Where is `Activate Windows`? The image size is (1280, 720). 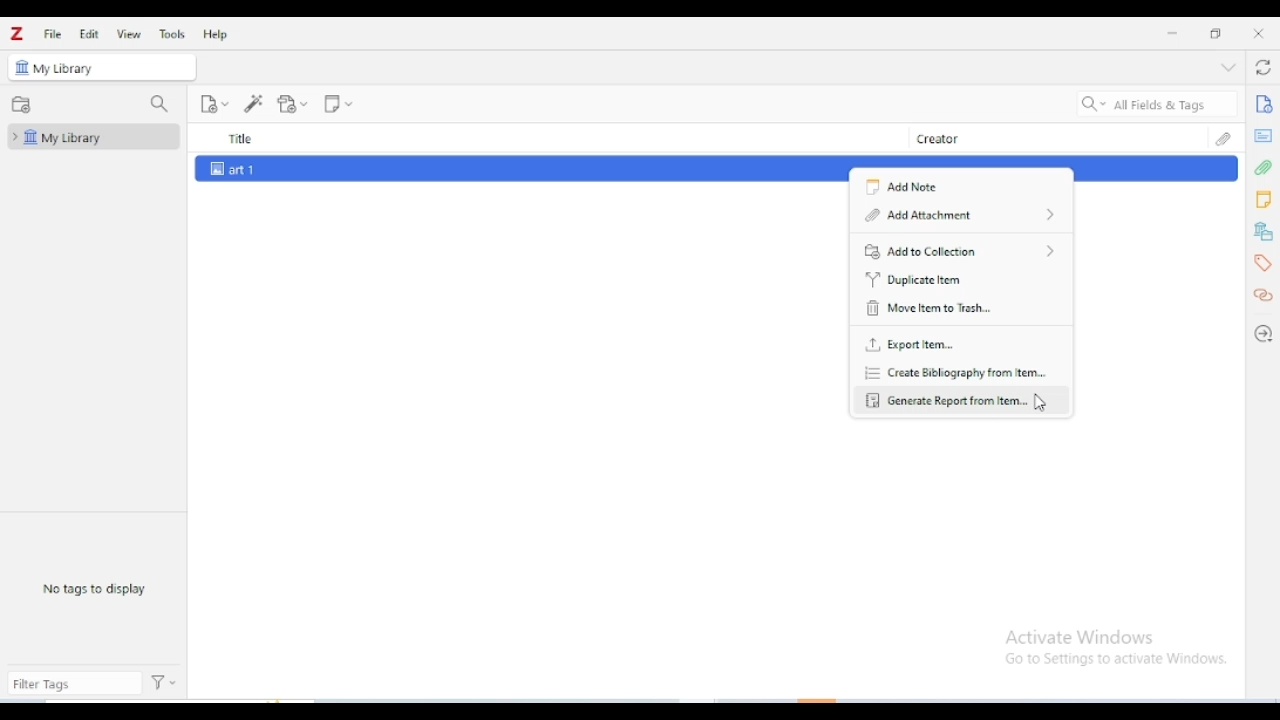
Activate Windows is located at coordinates (1080, 637).